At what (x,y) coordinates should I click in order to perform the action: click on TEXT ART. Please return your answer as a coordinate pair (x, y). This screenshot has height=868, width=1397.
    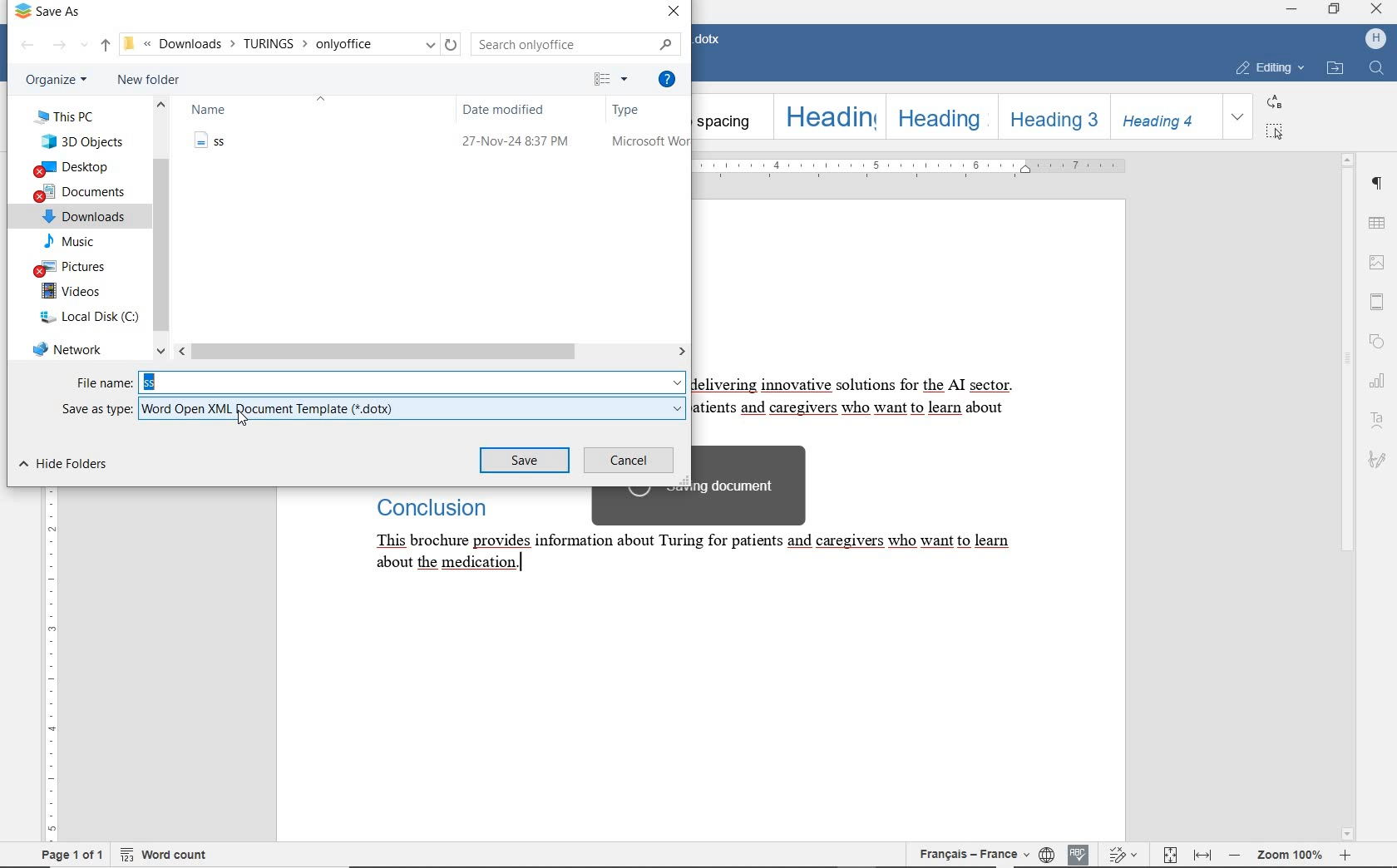
    Looking at the image, I should click on (1379, 418).